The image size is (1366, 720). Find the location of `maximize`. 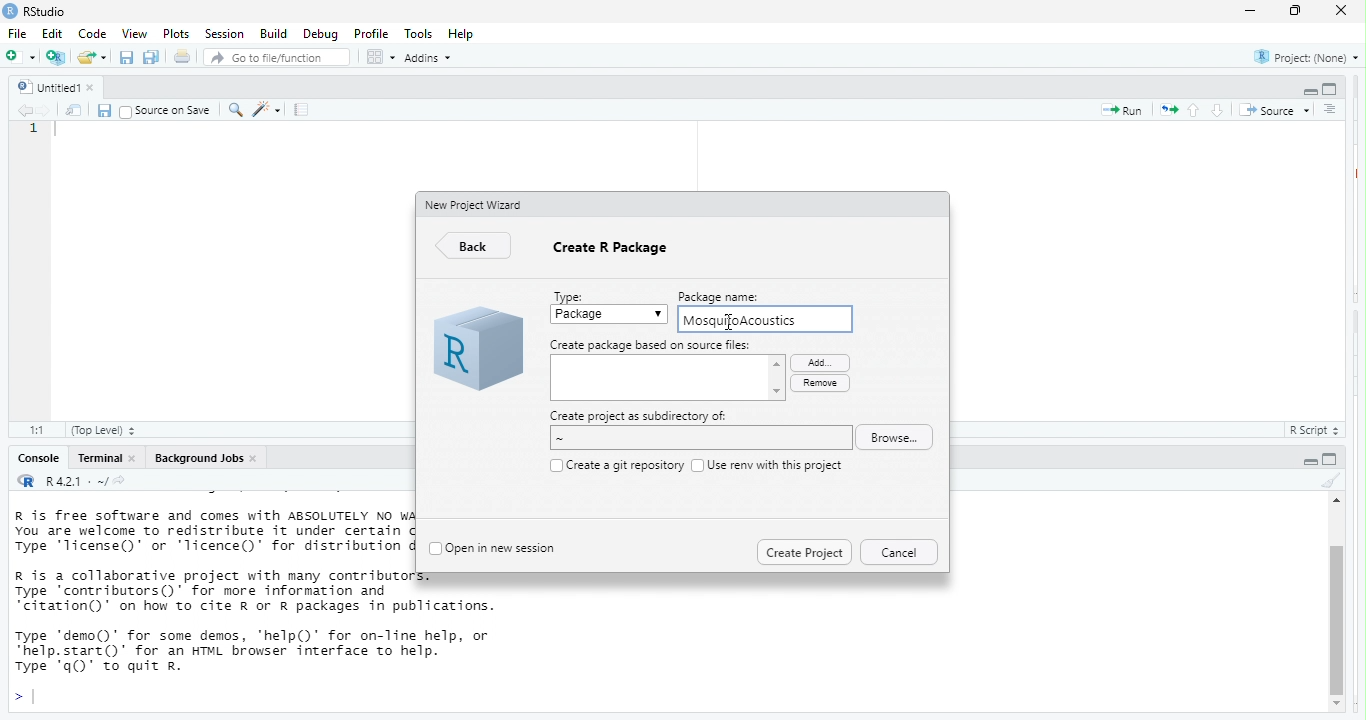

maximize is located at coordinates (1292, 12).